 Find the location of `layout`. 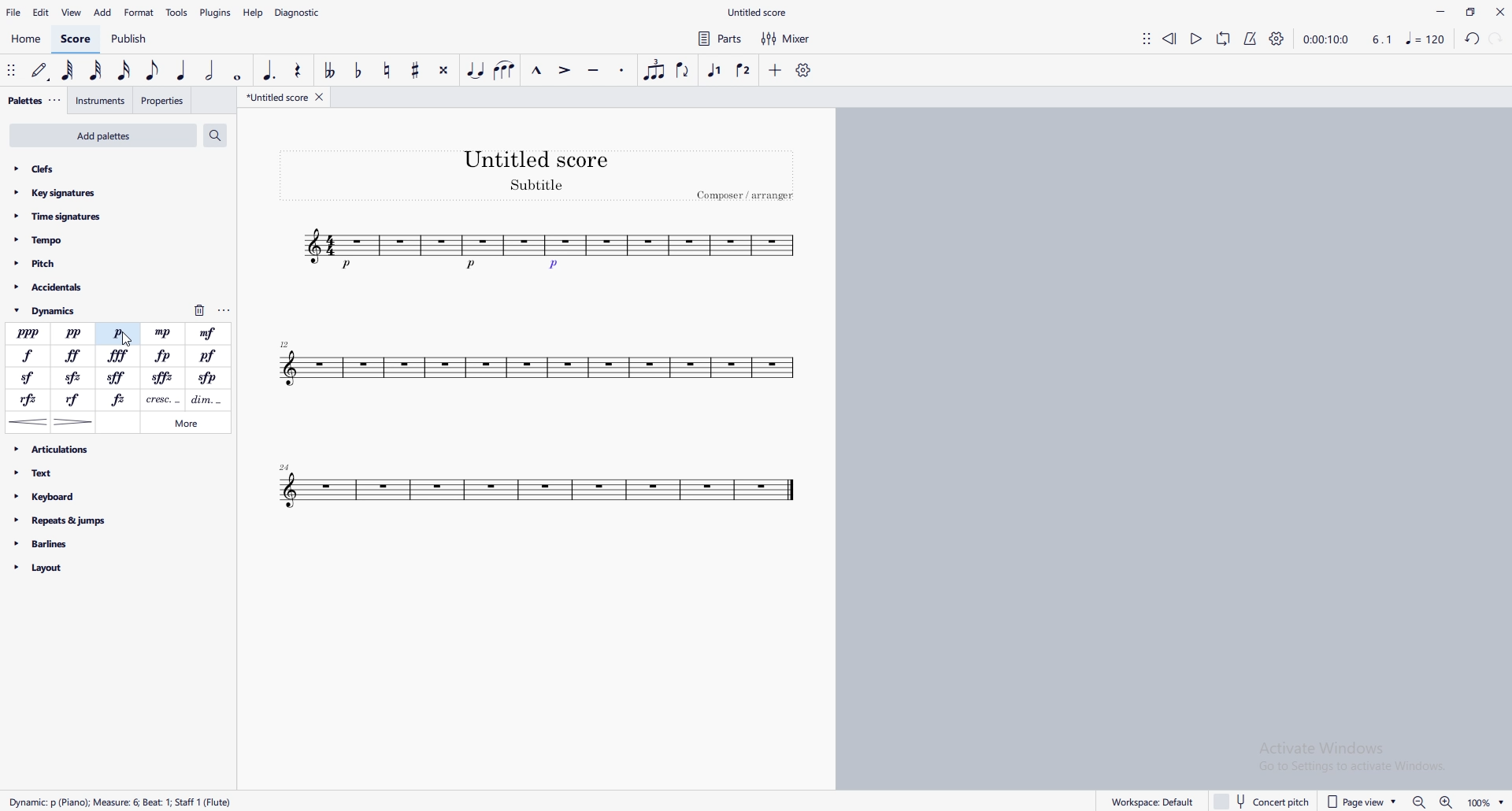

layout is located at coordinates (98, 571).